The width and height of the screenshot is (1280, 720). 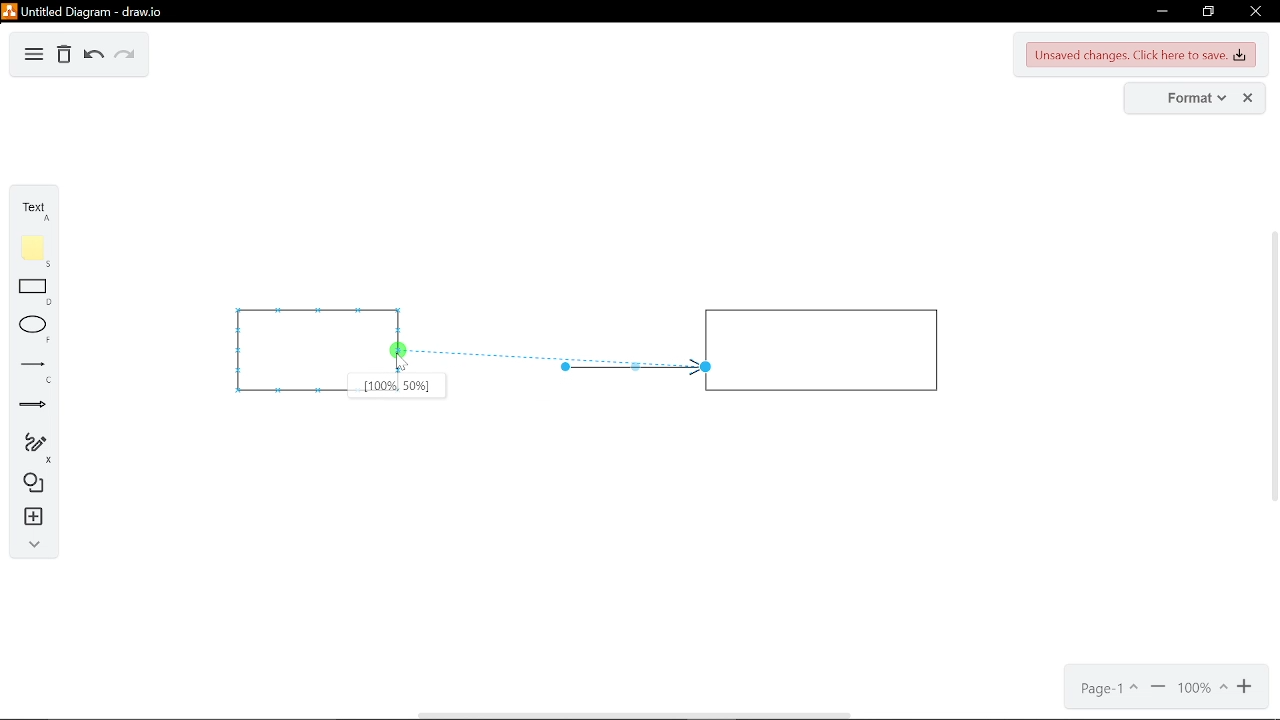 What do you see at coordinates (92, 57) in the screenshot?
I see `undo` at bounding box center [92, 57].